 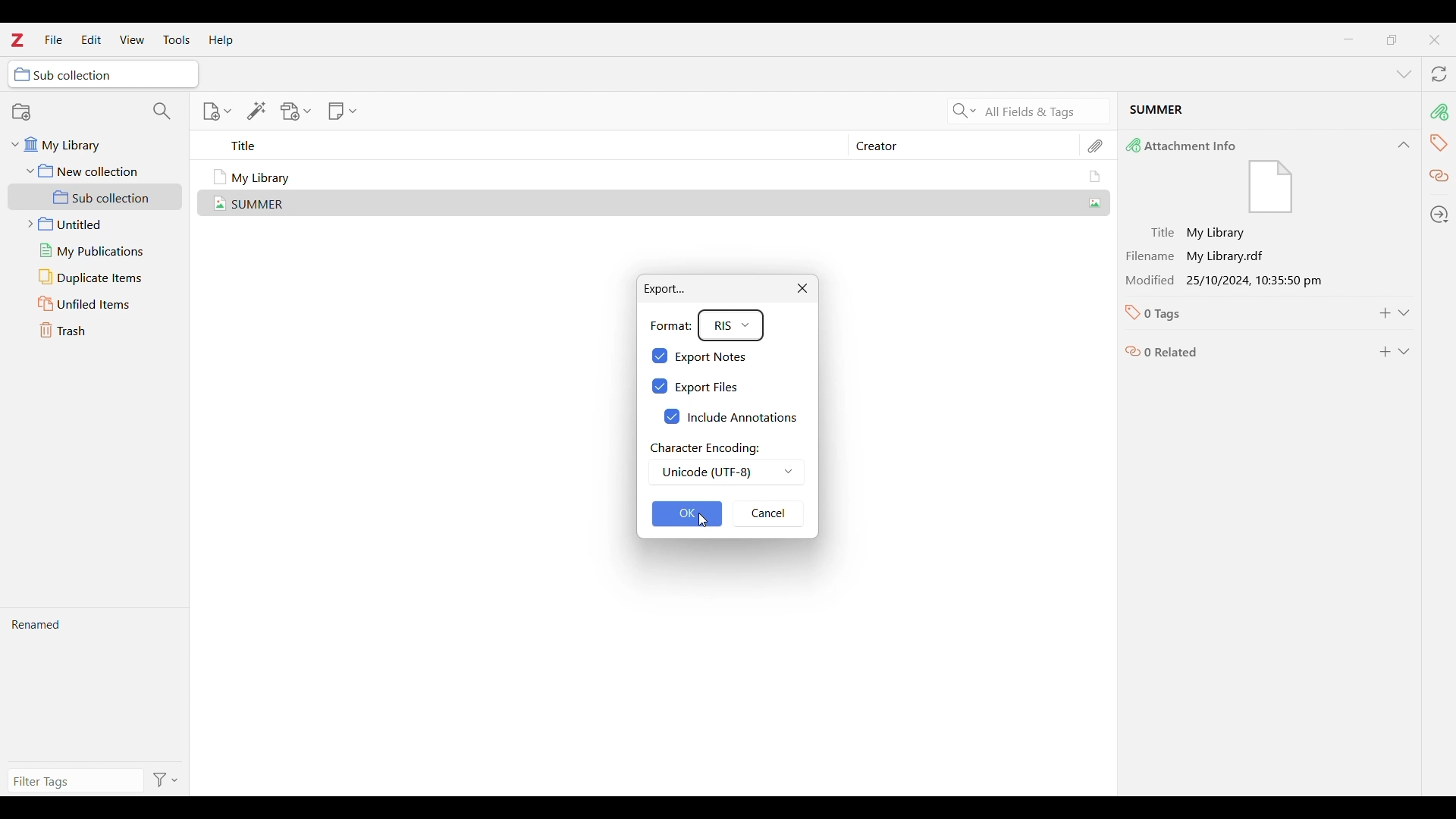 I want to click on Duplicate items, so click(x=97, y=277).